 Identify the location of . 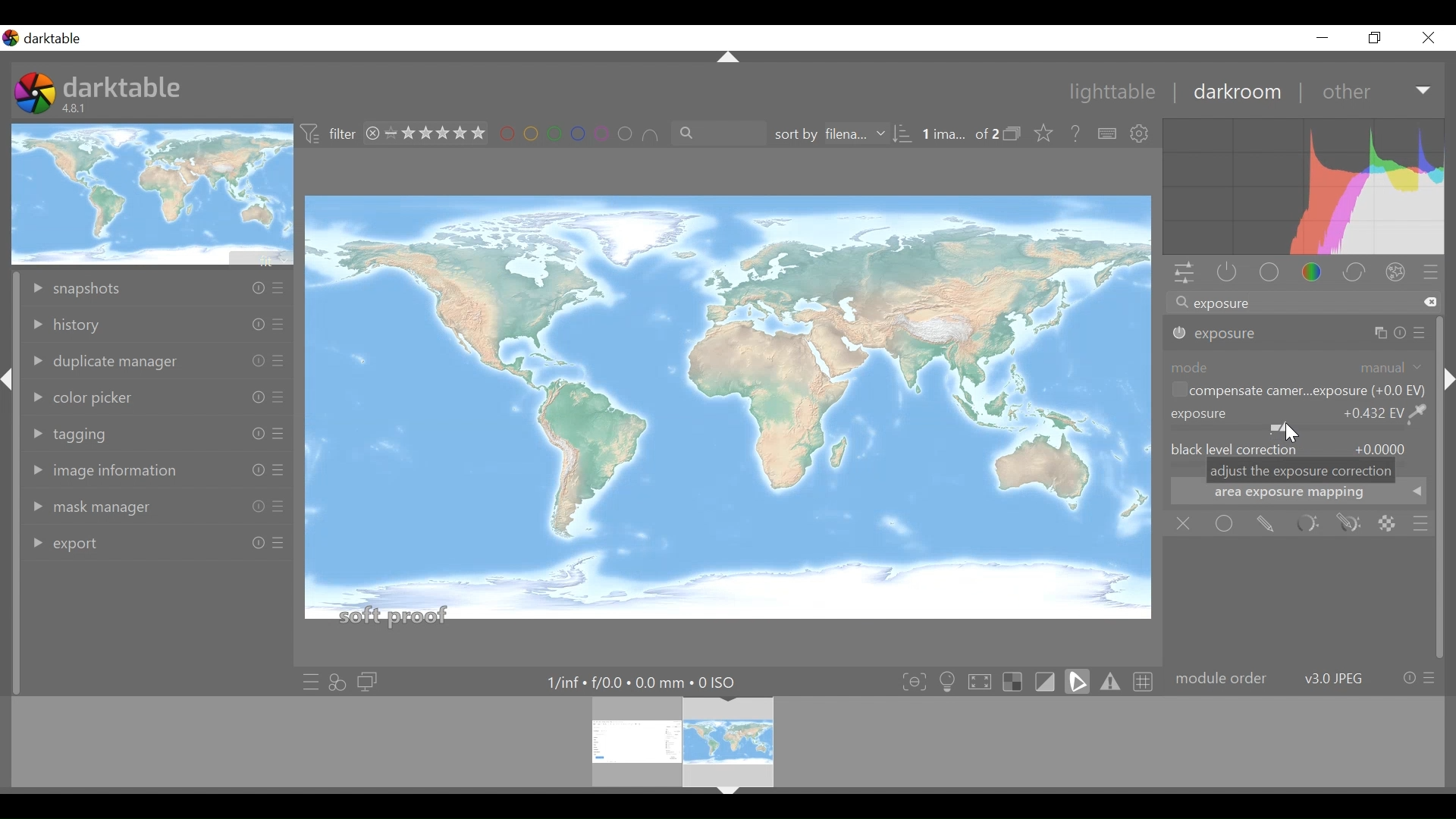
(254, 360).